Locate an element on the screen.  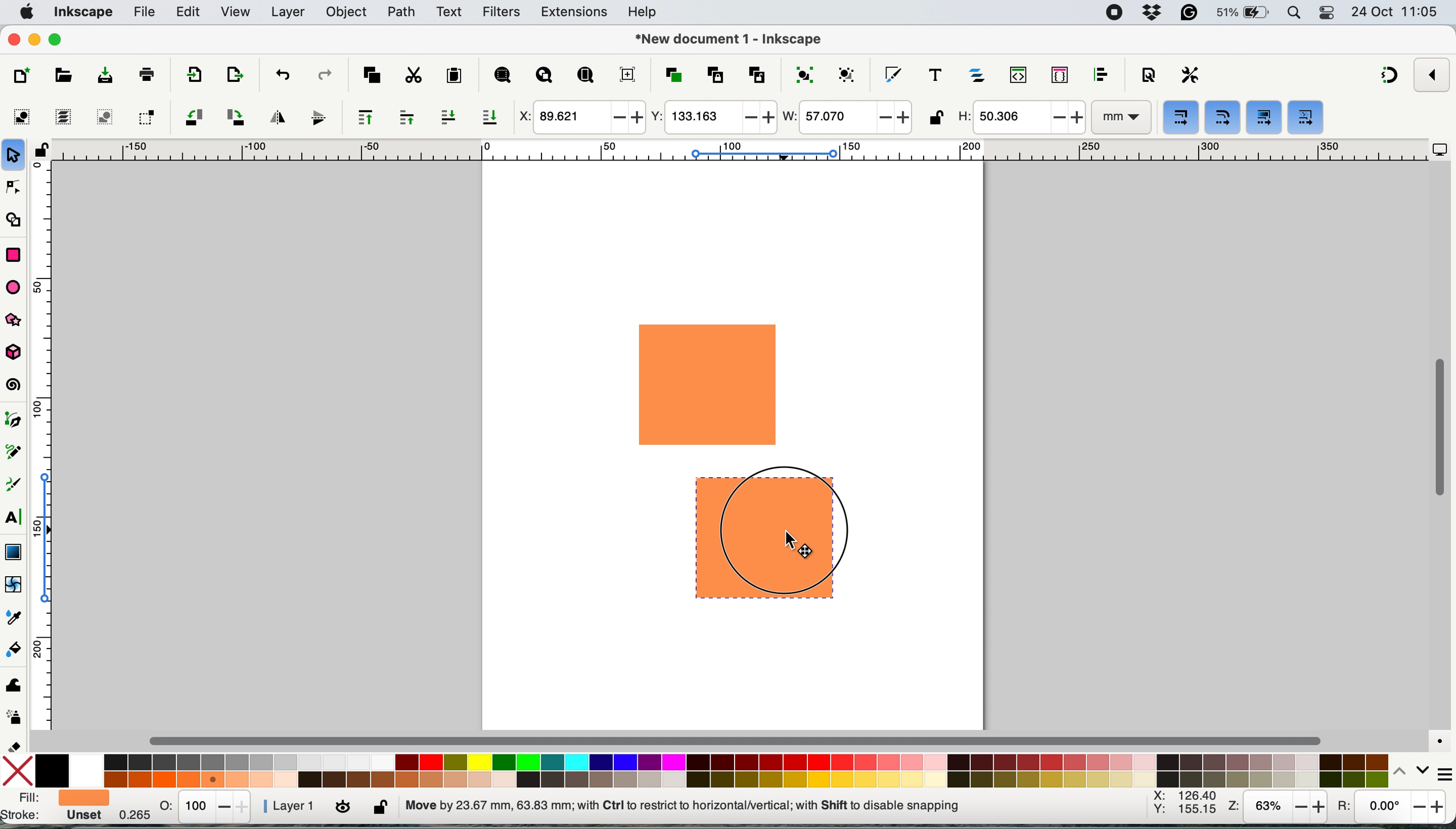
erase tool is located at coordinates (16, 746).